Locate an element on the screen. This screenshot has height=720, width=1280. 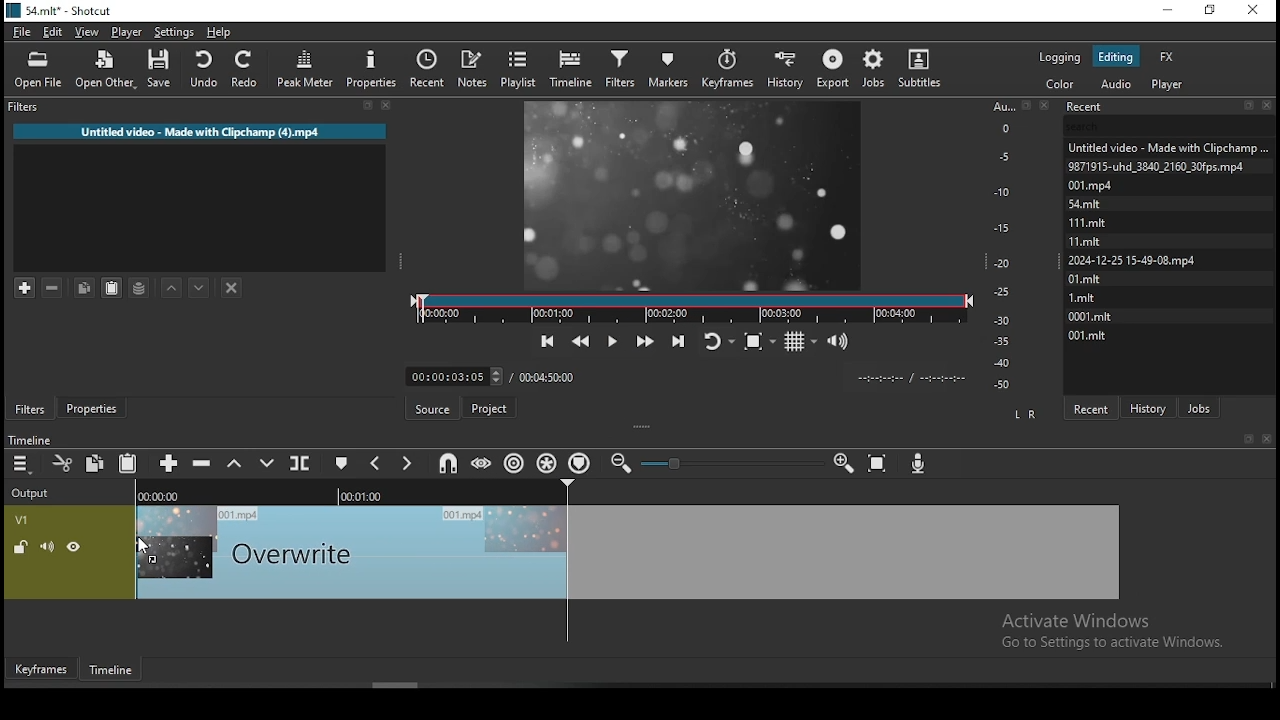
zoom in or zoom out bar is located at coordinates (731, 462).